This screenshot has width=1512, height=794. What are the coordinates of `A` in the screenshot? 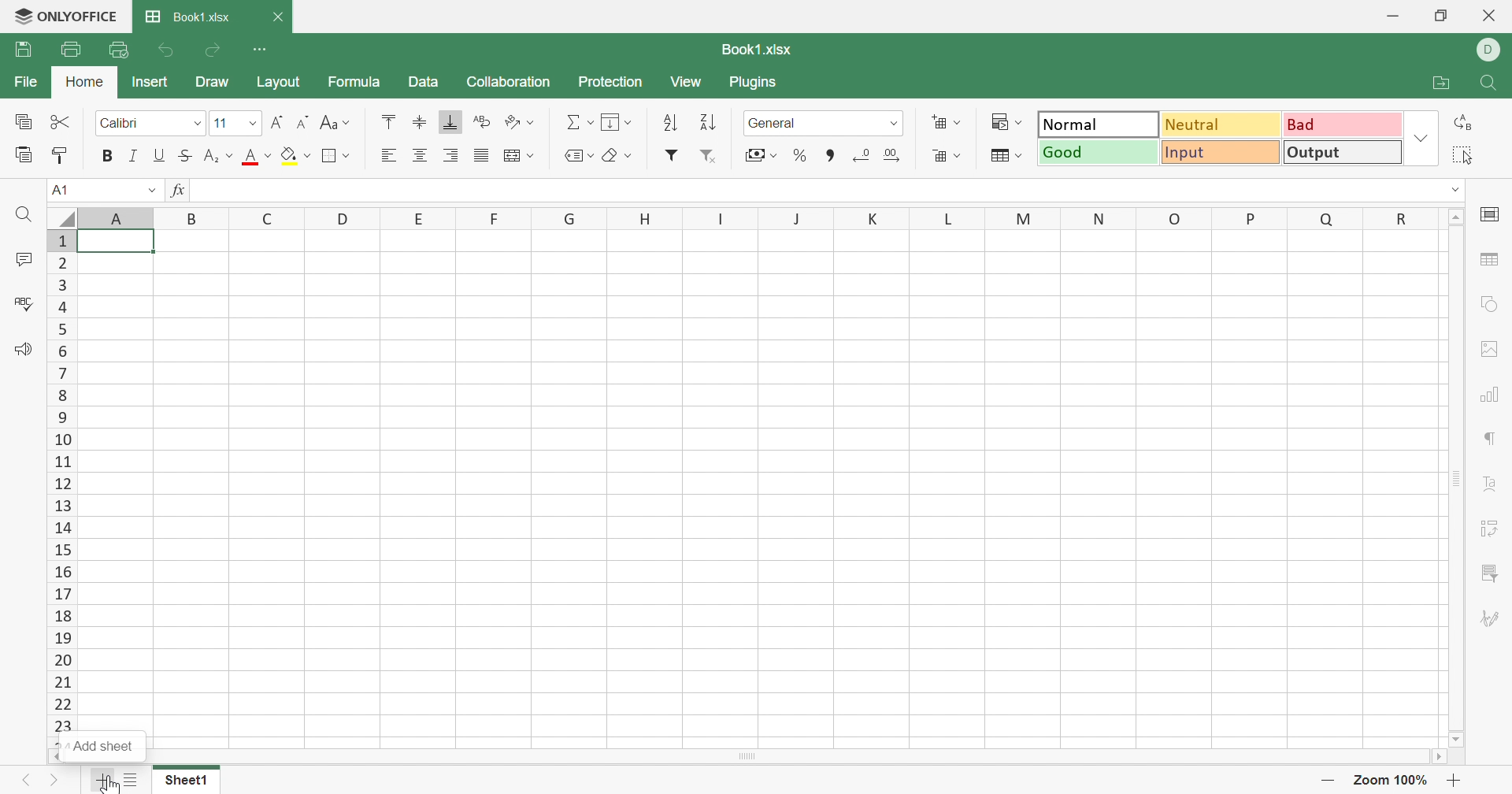 It's located at (114, 216).